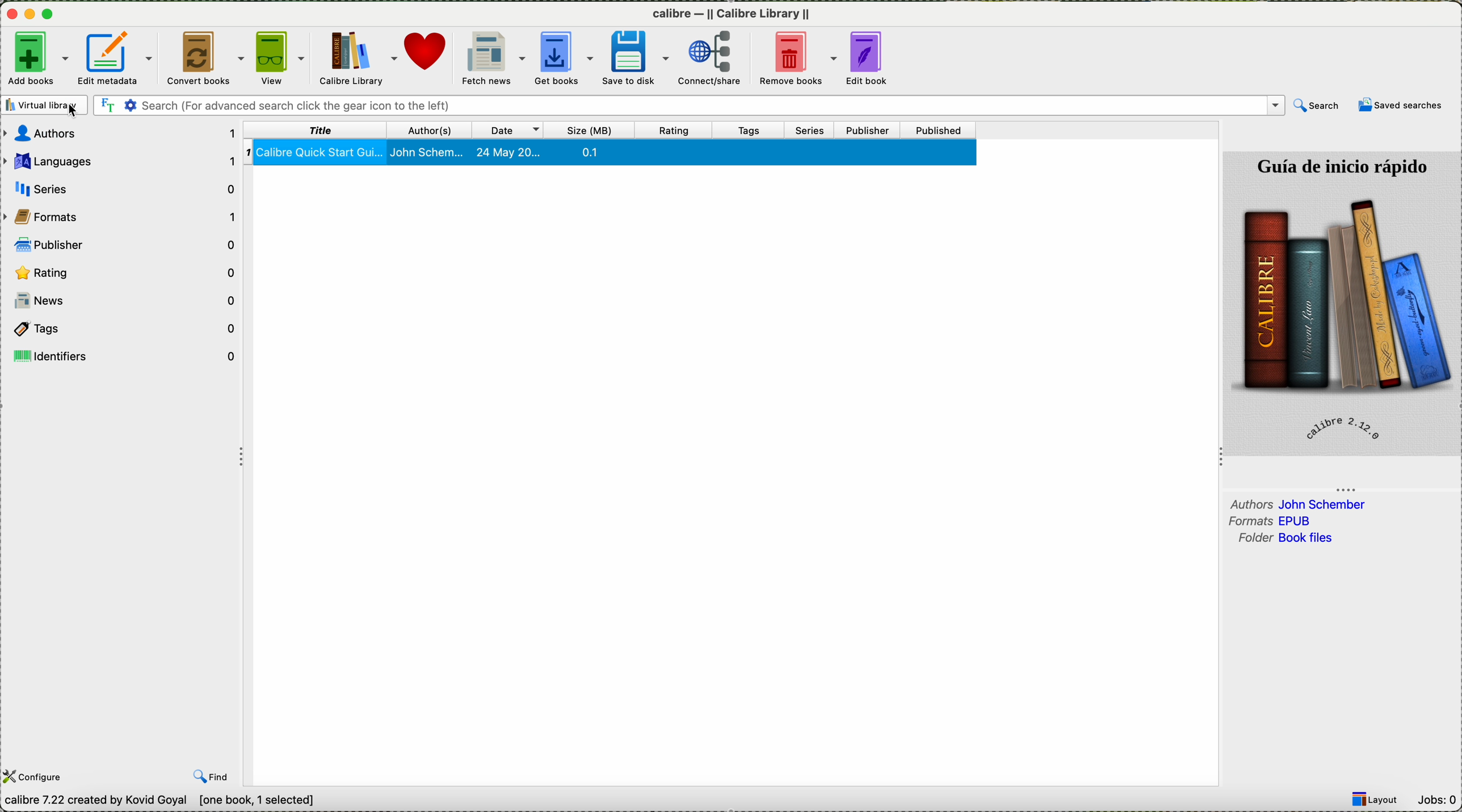  What do you see at coordinates (123, 216) in the screenshot?
I see `formats` at bounding box center [123, 216].